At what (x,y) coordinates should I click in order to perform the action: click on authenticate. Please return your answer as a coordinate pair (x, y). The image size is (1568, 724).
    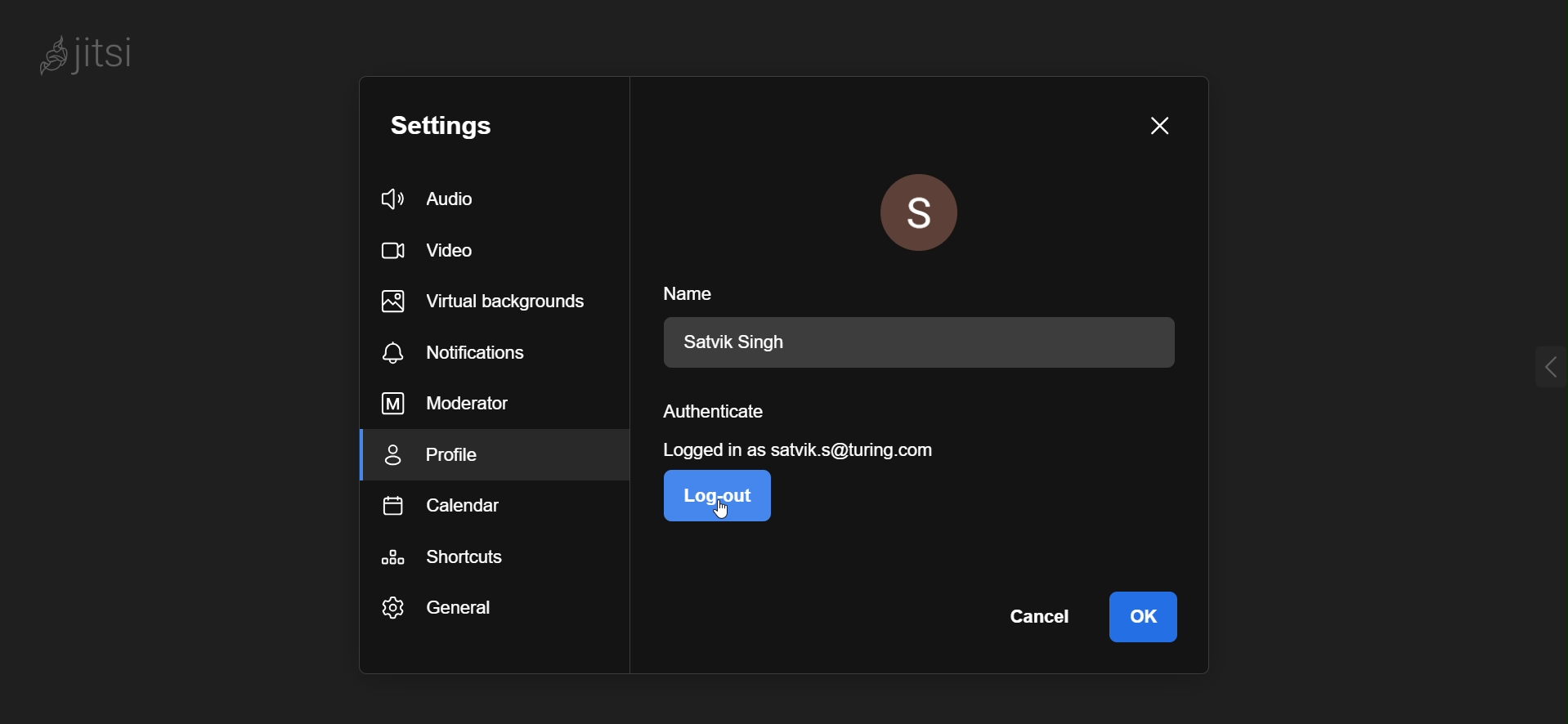
    Looking at the image, I should click on (719, 415).